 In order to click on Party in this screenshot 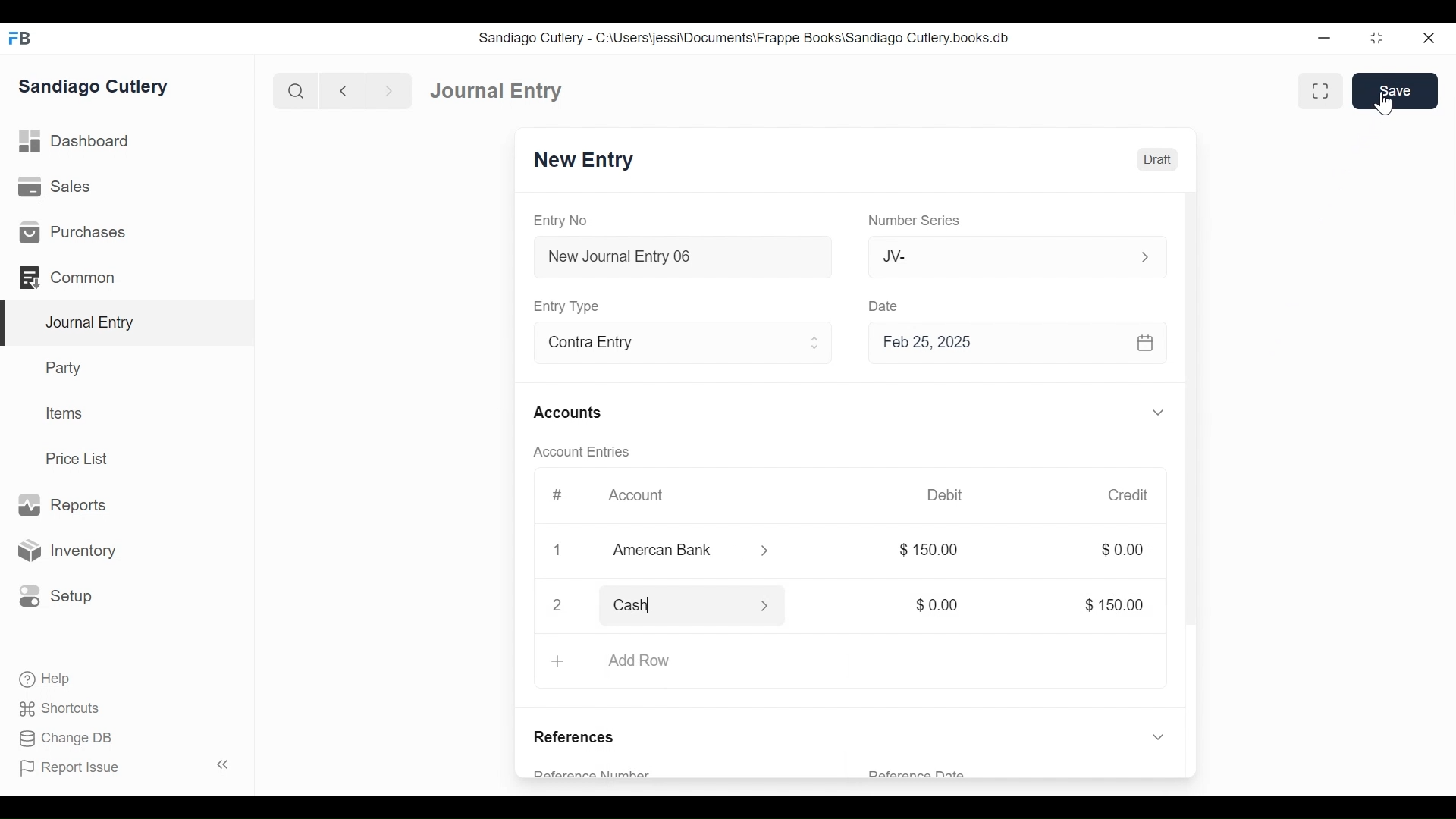, I will do `click(67, 367)`.